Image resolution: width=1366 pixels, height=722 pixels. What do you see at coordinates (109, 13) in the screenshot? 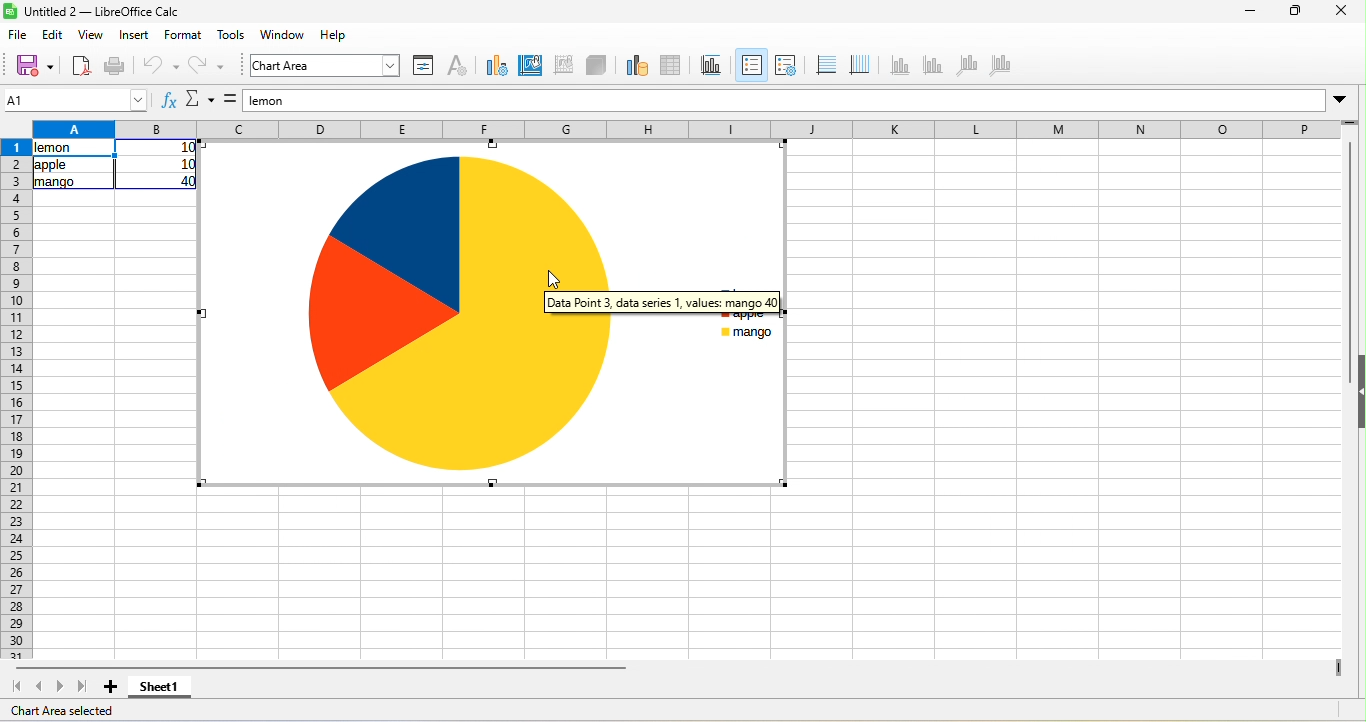
I see `untitled 2- libre ofice calc` at bounding box center [109, 13].